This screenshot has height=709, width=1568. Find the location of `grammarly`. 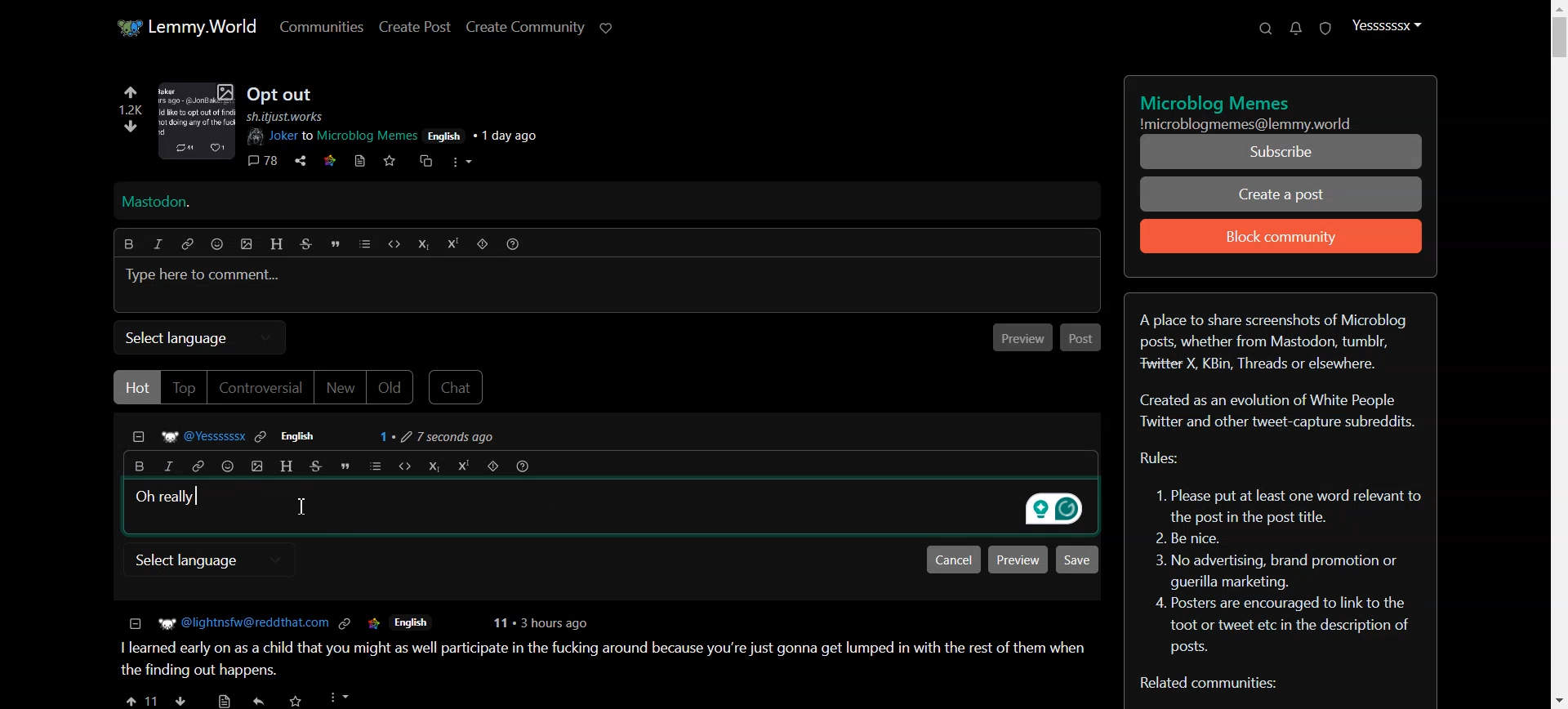

grammarly is located at coordinates (1055, 511).